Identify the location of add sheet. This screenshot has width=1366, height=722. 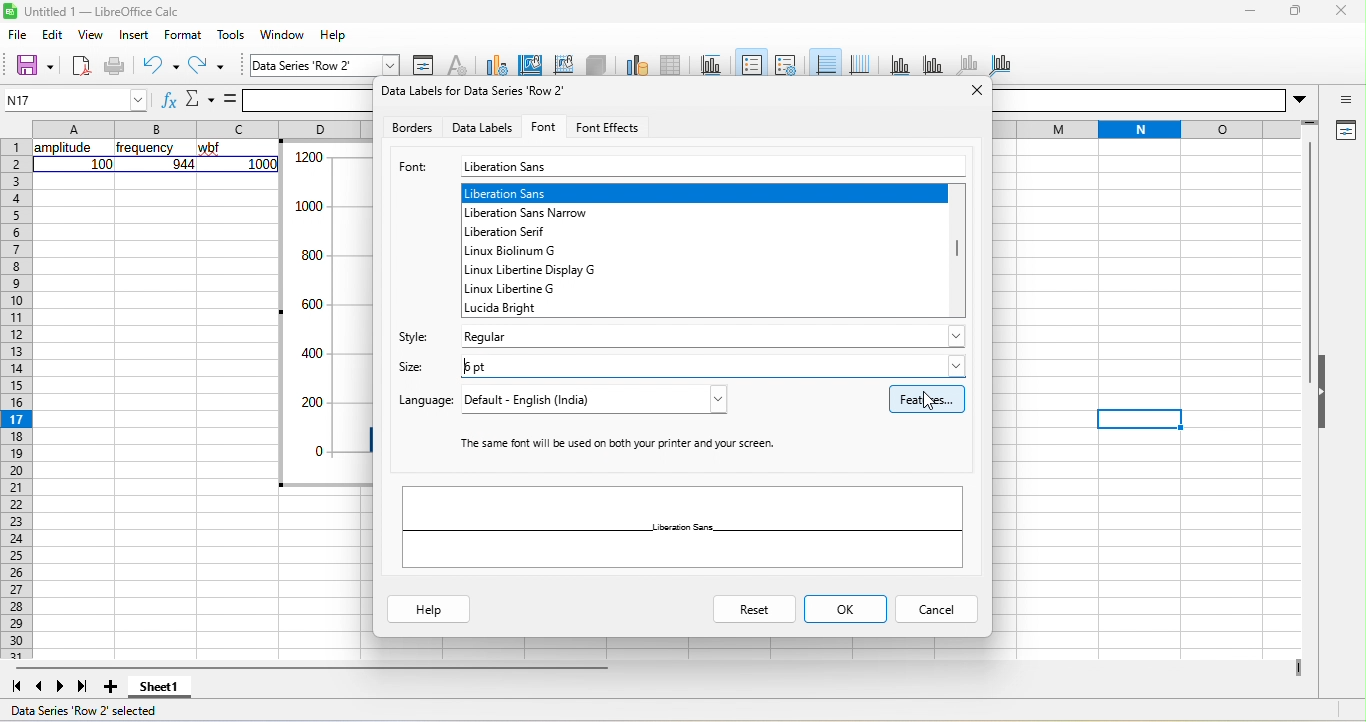
(113, 690).